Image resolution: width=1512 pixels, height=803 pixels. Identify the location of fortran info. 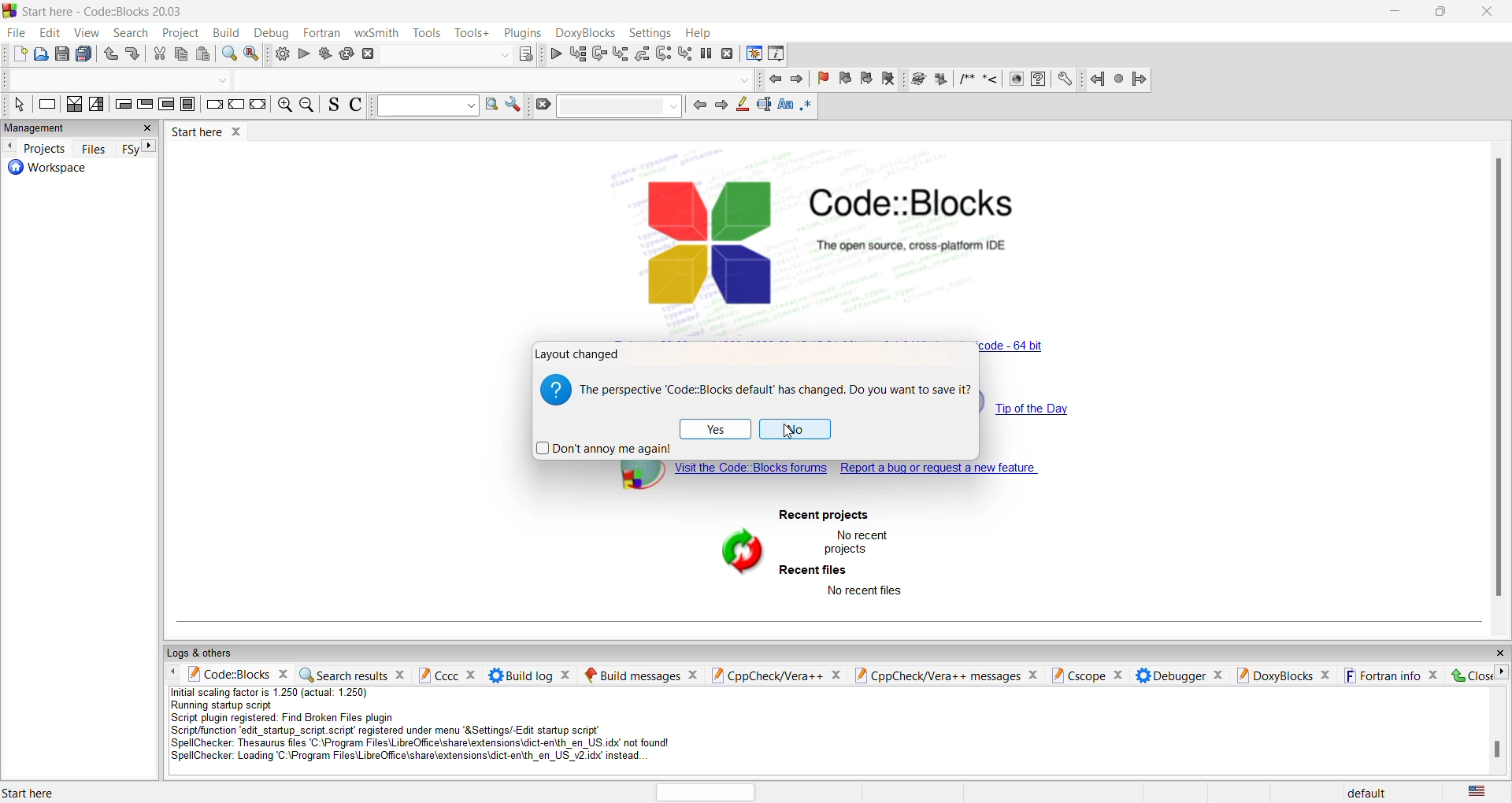
(1380, 675).